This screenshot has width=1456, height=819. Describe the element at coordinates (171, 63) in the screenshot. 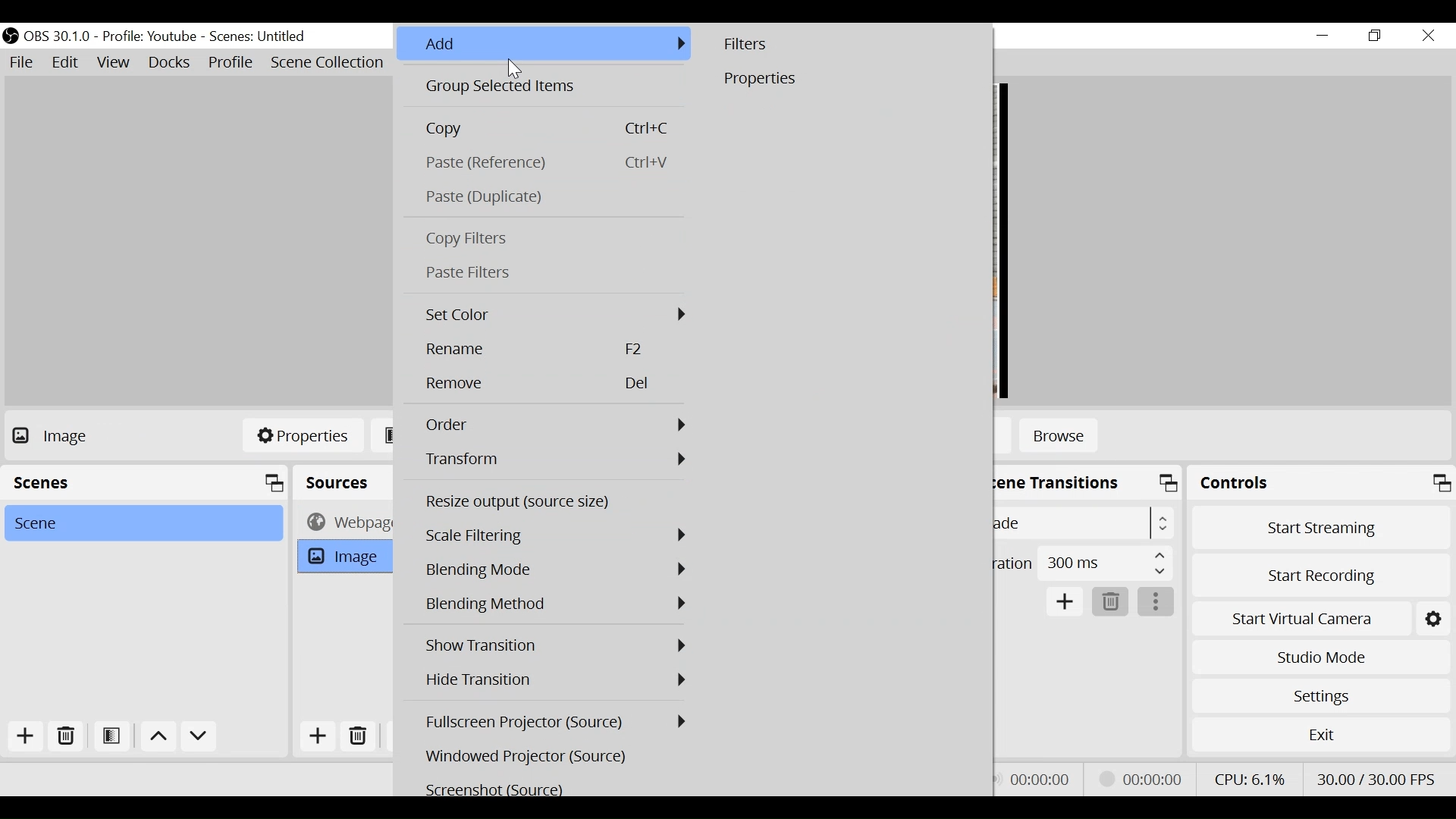

I see `Docks` at that location.